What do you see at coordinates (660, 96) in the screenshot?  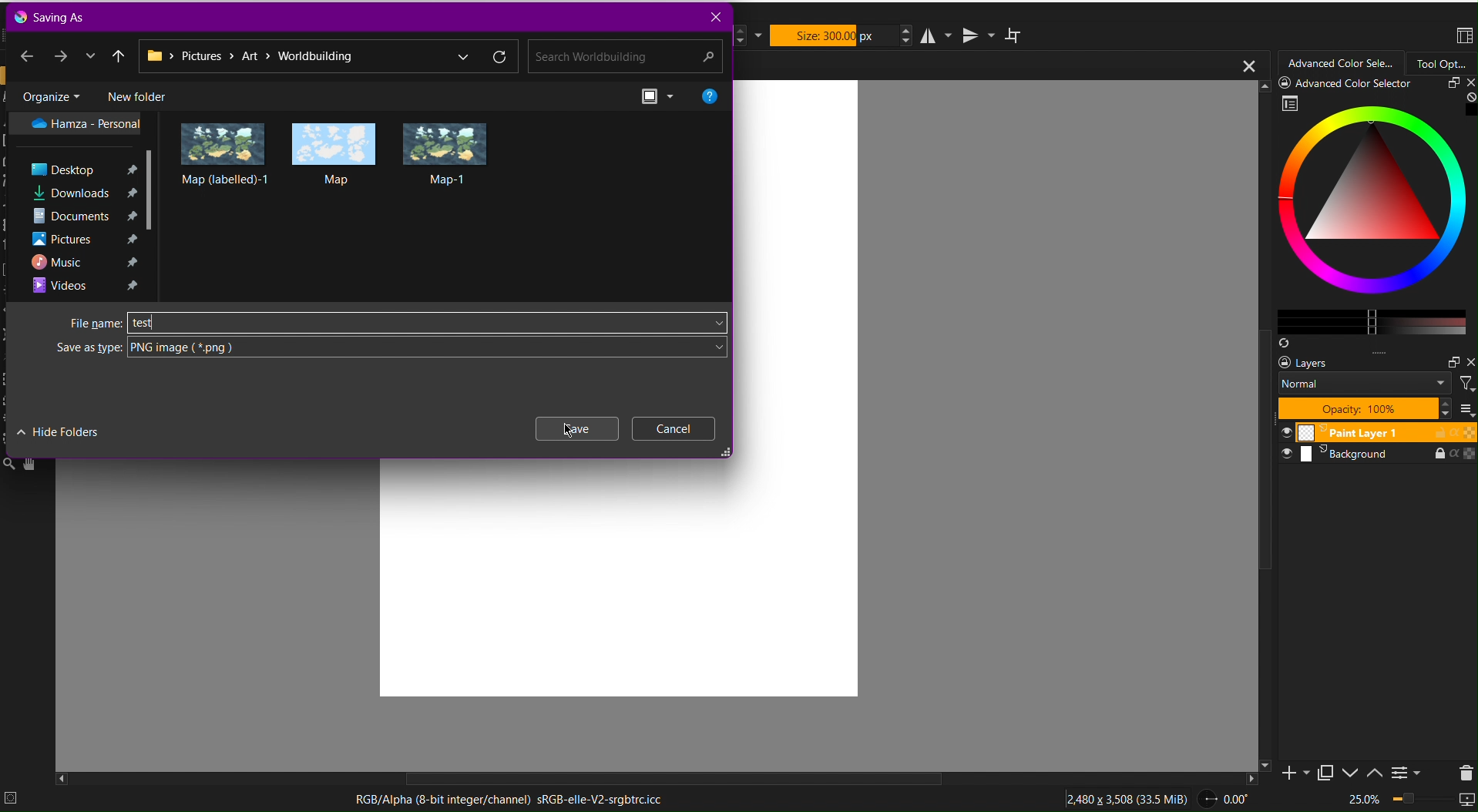 I see `View` at bounding box center [660, 96].